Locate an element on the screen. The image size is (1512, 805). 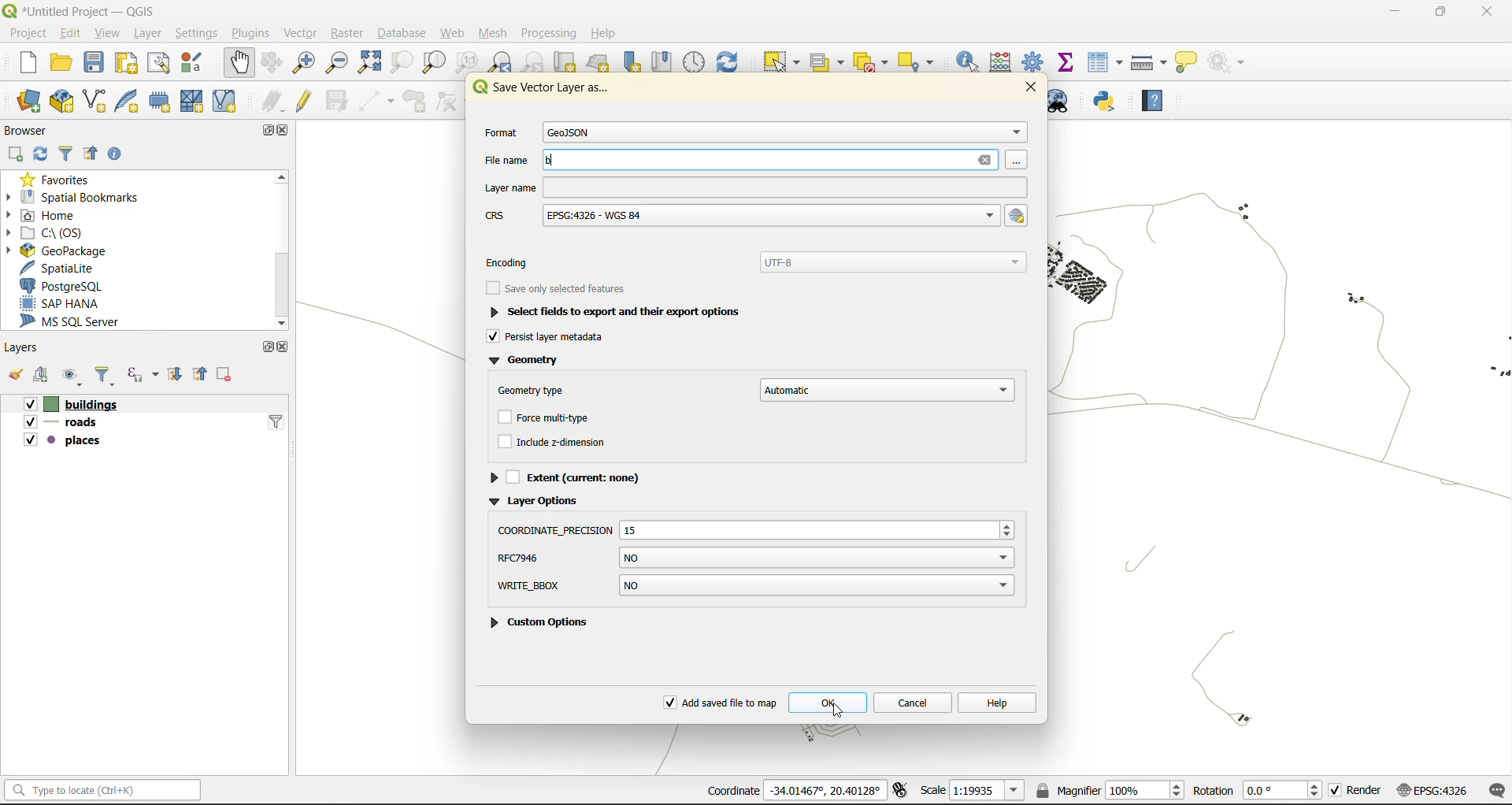
coordinates is located at coordinates (799, 792).